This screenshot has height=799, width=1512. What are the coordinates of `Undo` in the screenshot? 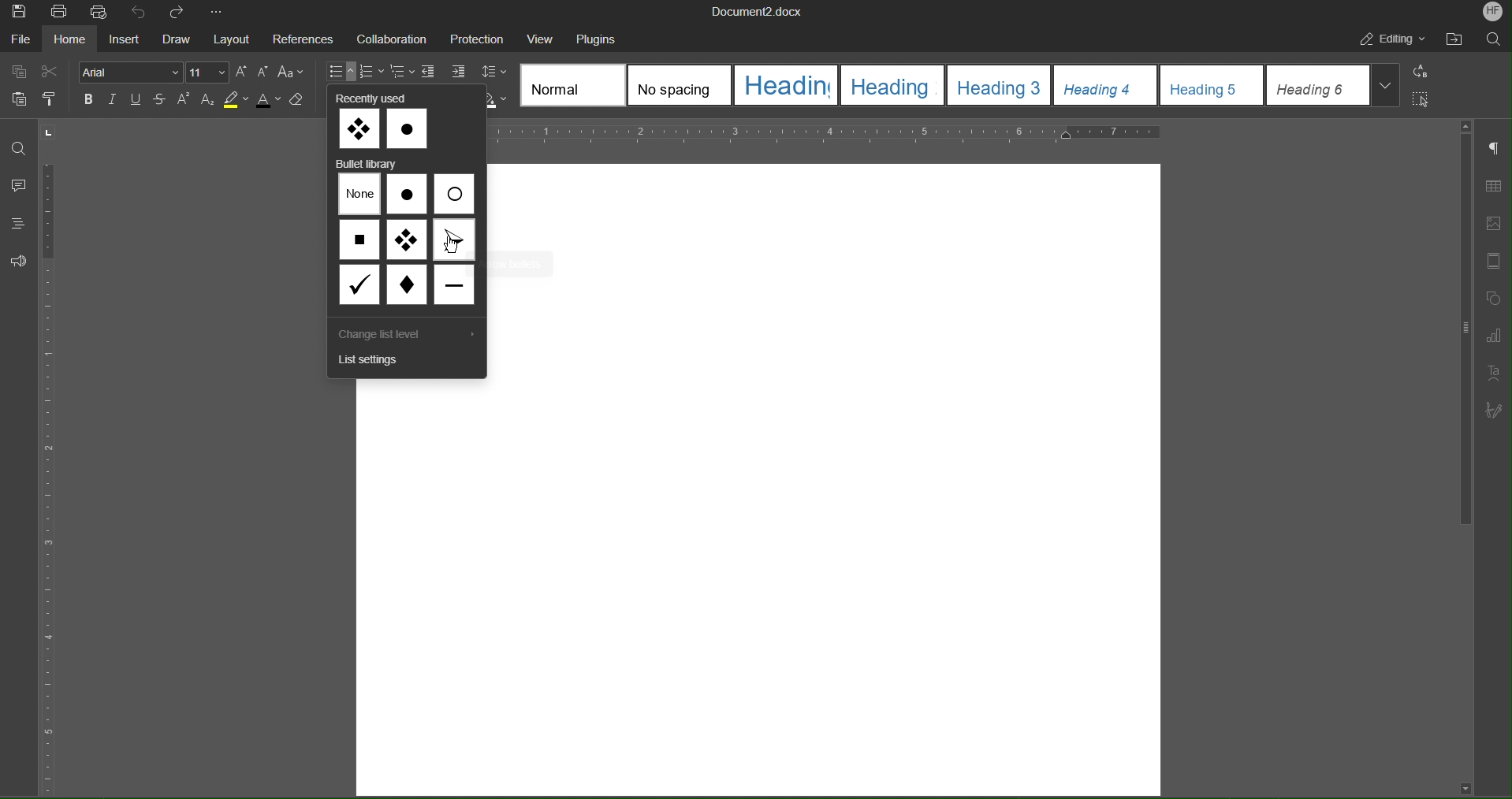 It's located at (140, 14).